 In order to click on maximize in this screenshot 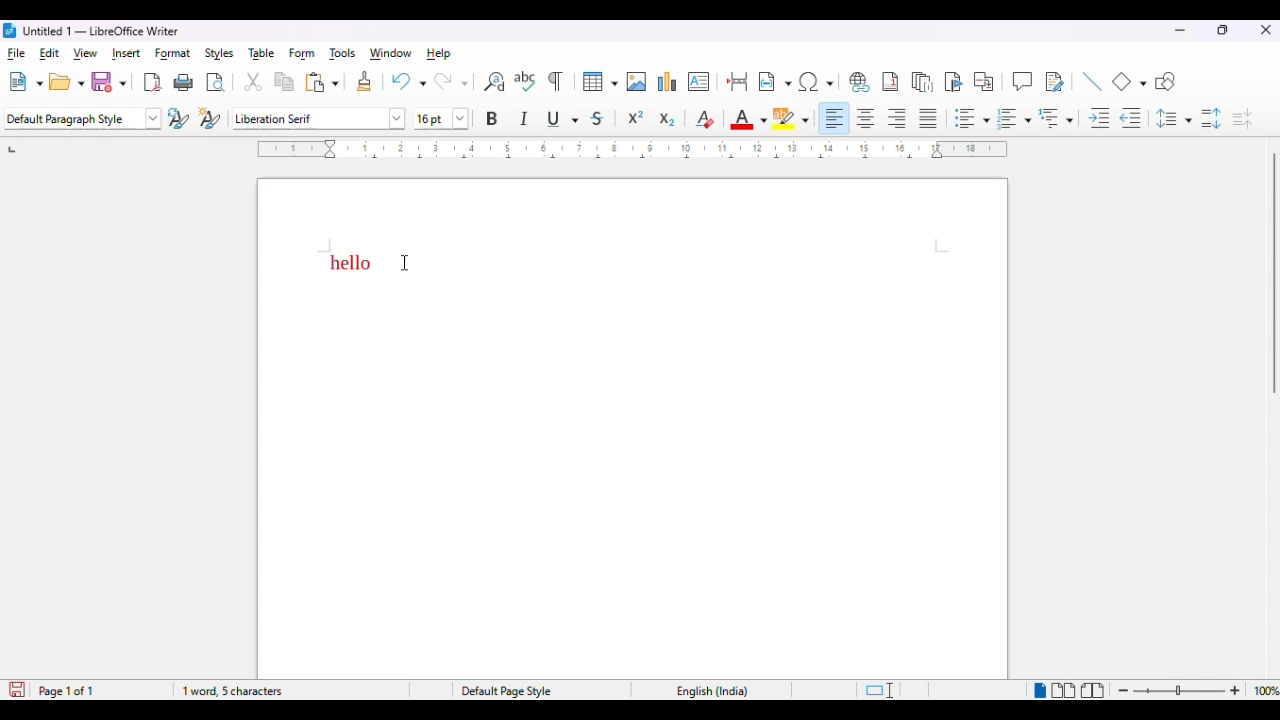, I will do `click(1224, 30)`.